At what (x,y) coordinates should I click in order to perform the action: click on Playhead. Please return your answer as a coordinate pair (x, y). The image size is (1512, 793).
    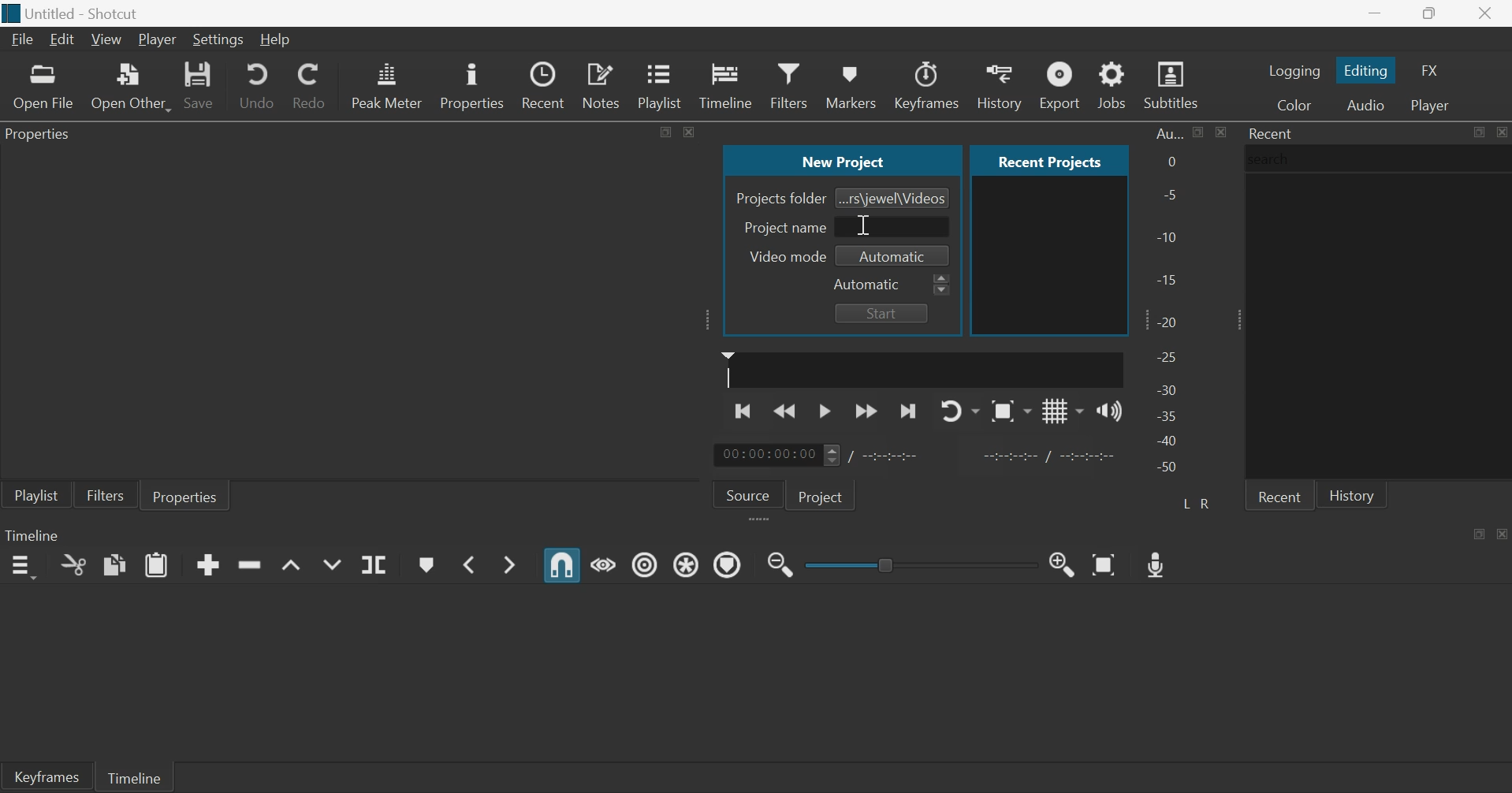
    Looking at the image, I should click on (728, 369).